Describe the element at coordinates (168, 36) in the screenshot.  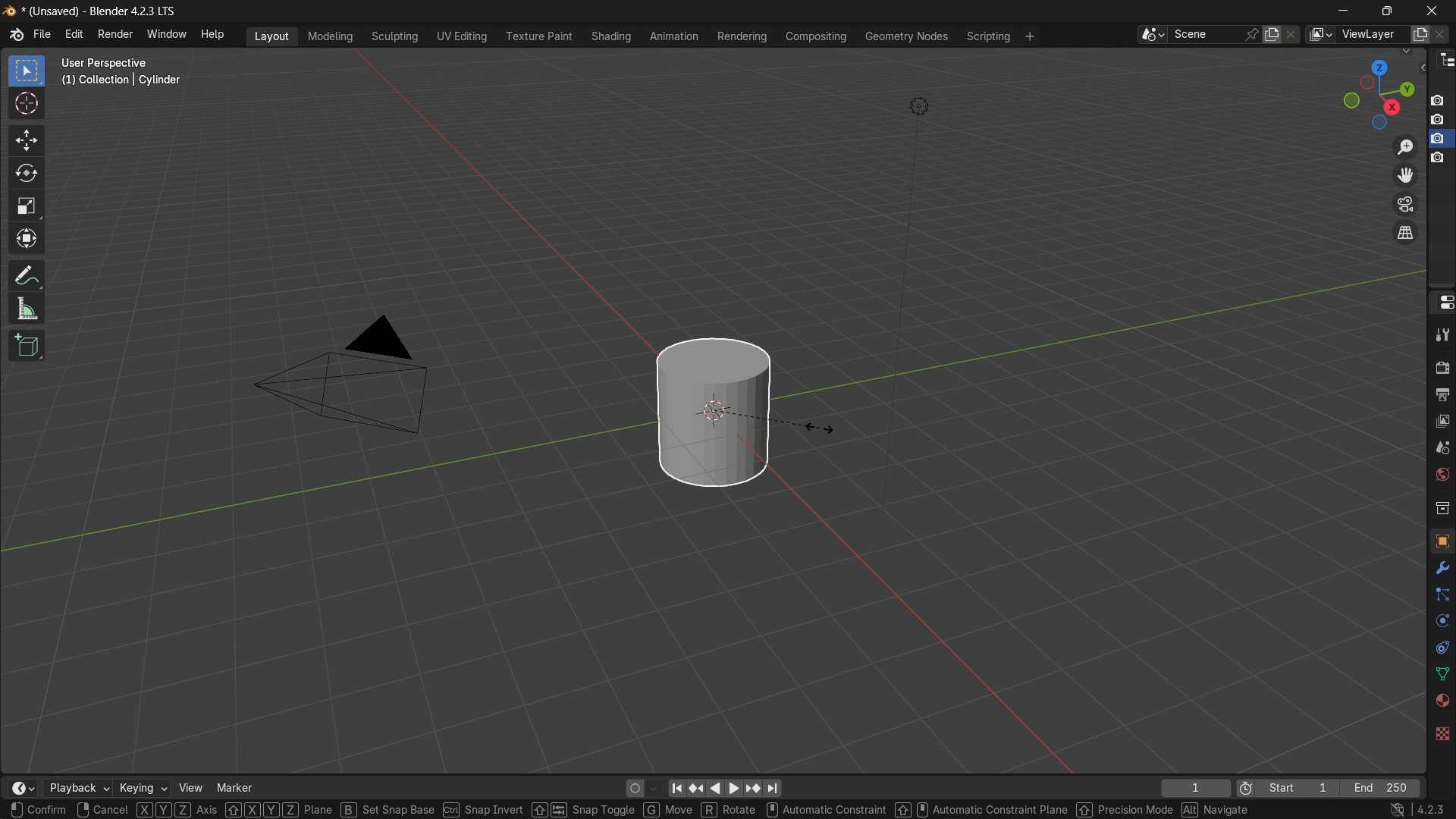
I see `window menu` at that location.